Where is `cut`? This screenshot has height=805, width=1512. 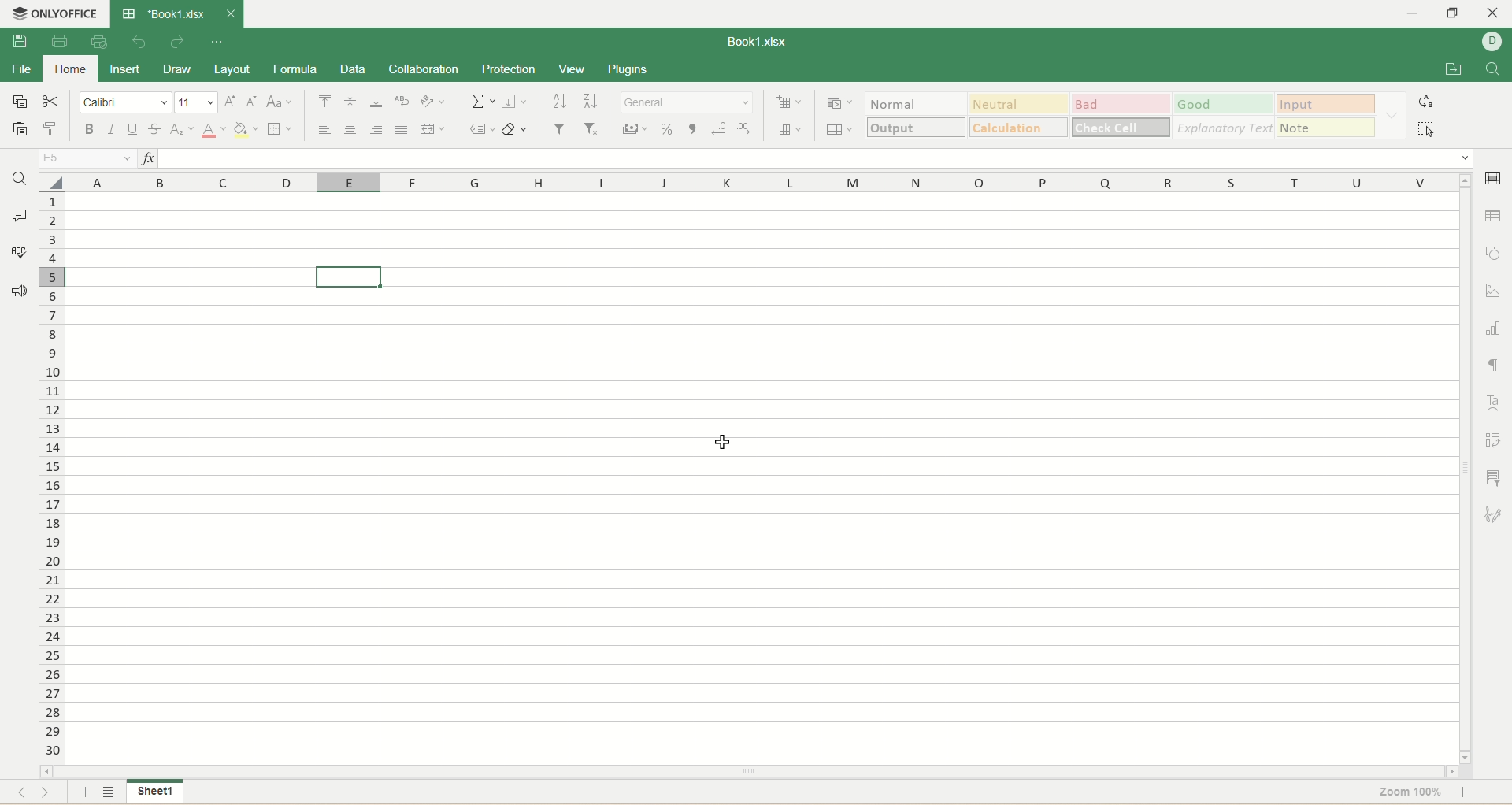 cut is located at coordinates (51, 99).